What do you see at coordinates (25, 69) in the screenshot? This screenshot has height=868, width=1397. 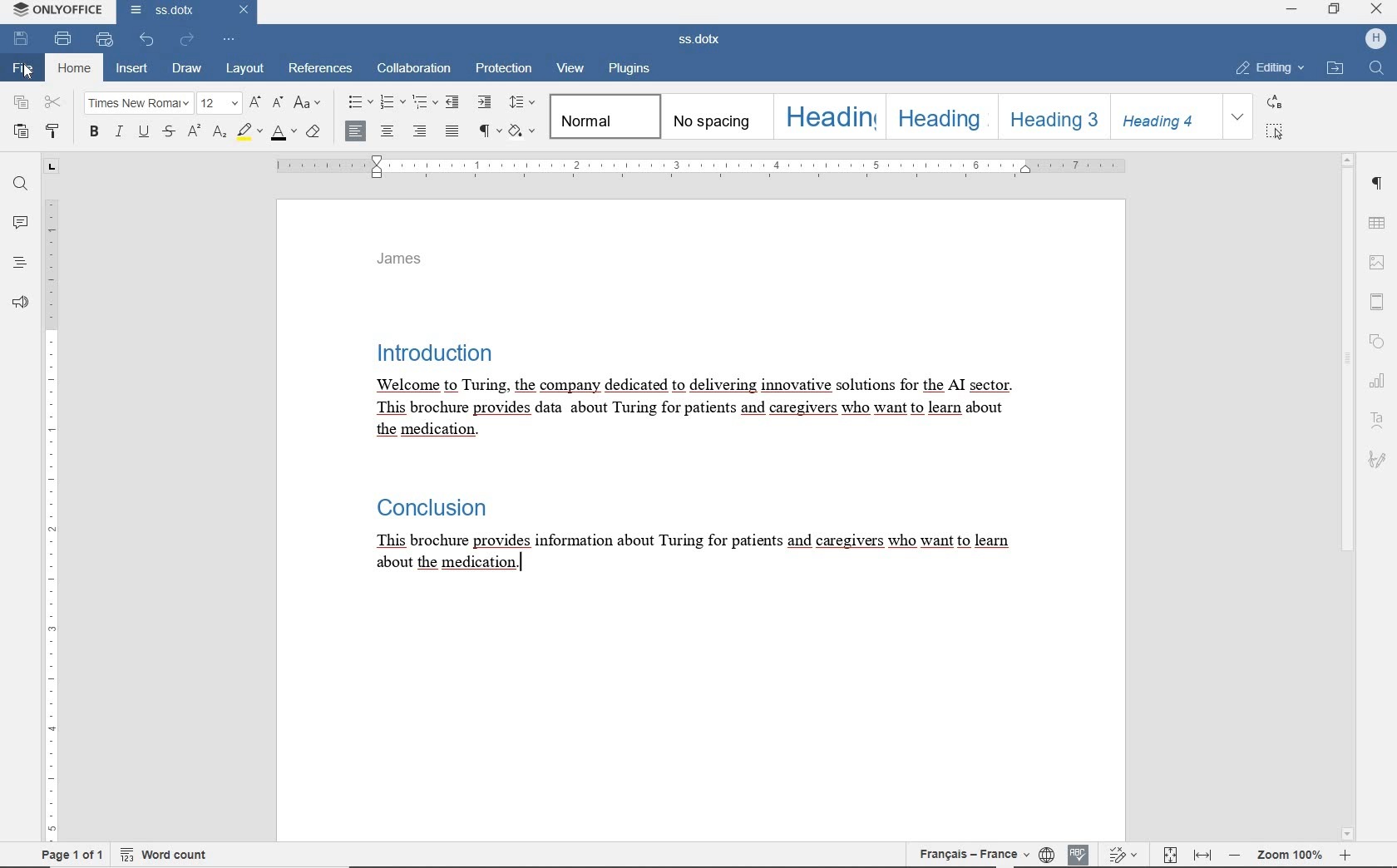 I see `FILE` at bounding box center [25, 69].